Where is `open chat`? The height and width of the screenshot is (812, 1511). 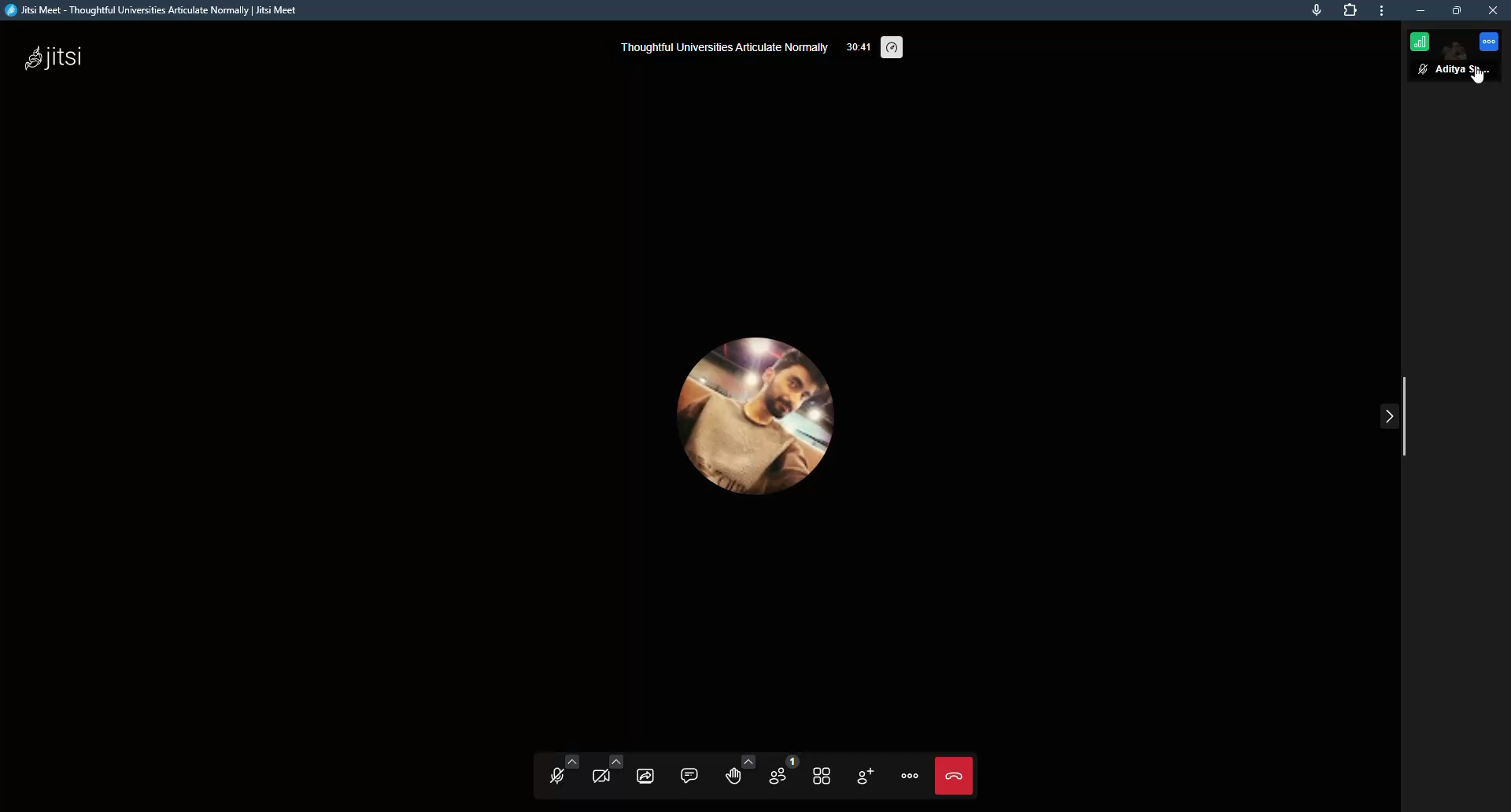 open chat is located at coordinates (690, 774).